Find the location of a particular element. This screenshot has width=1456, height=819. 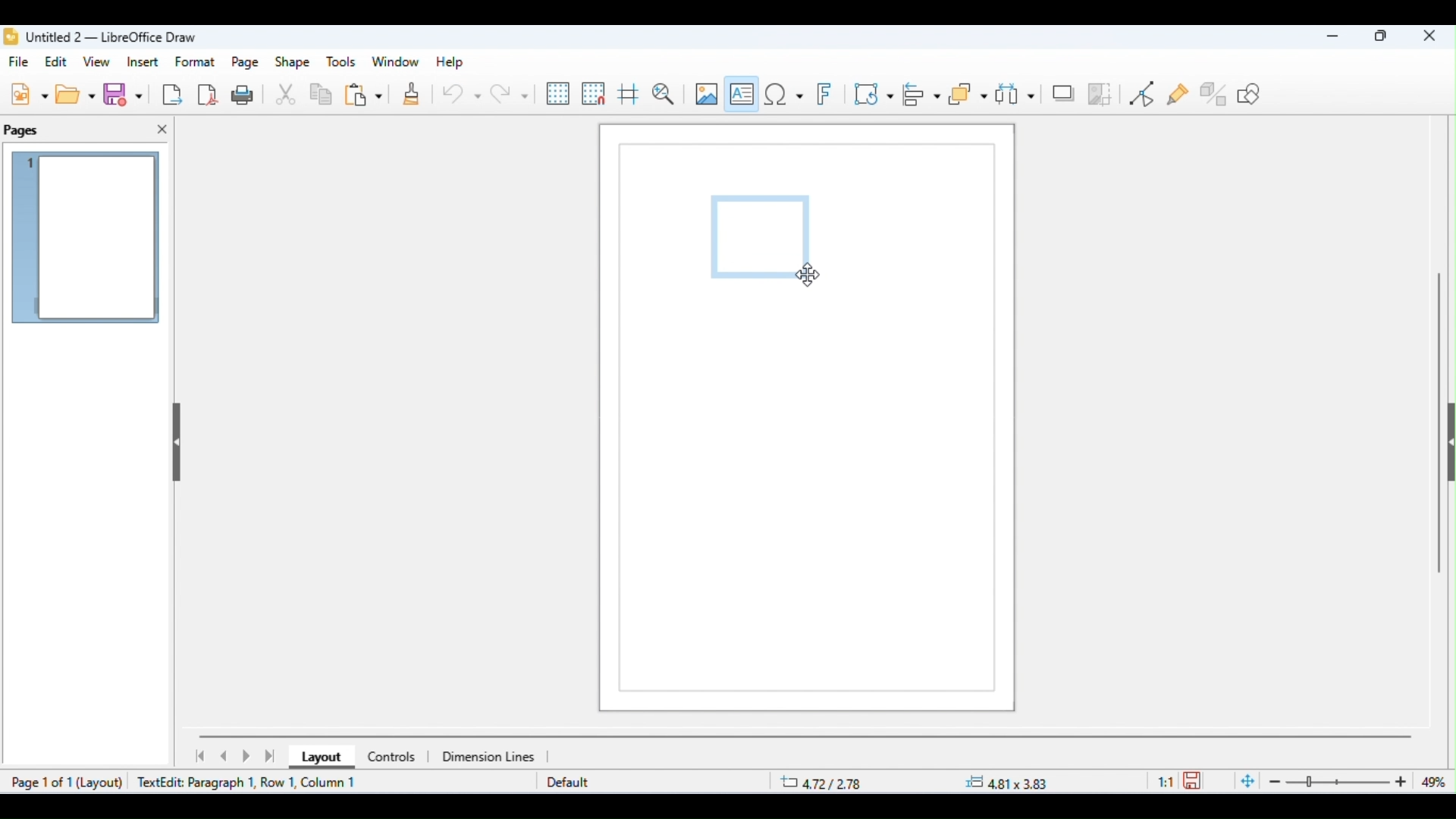

transformations is located at coordinates (874, 93).